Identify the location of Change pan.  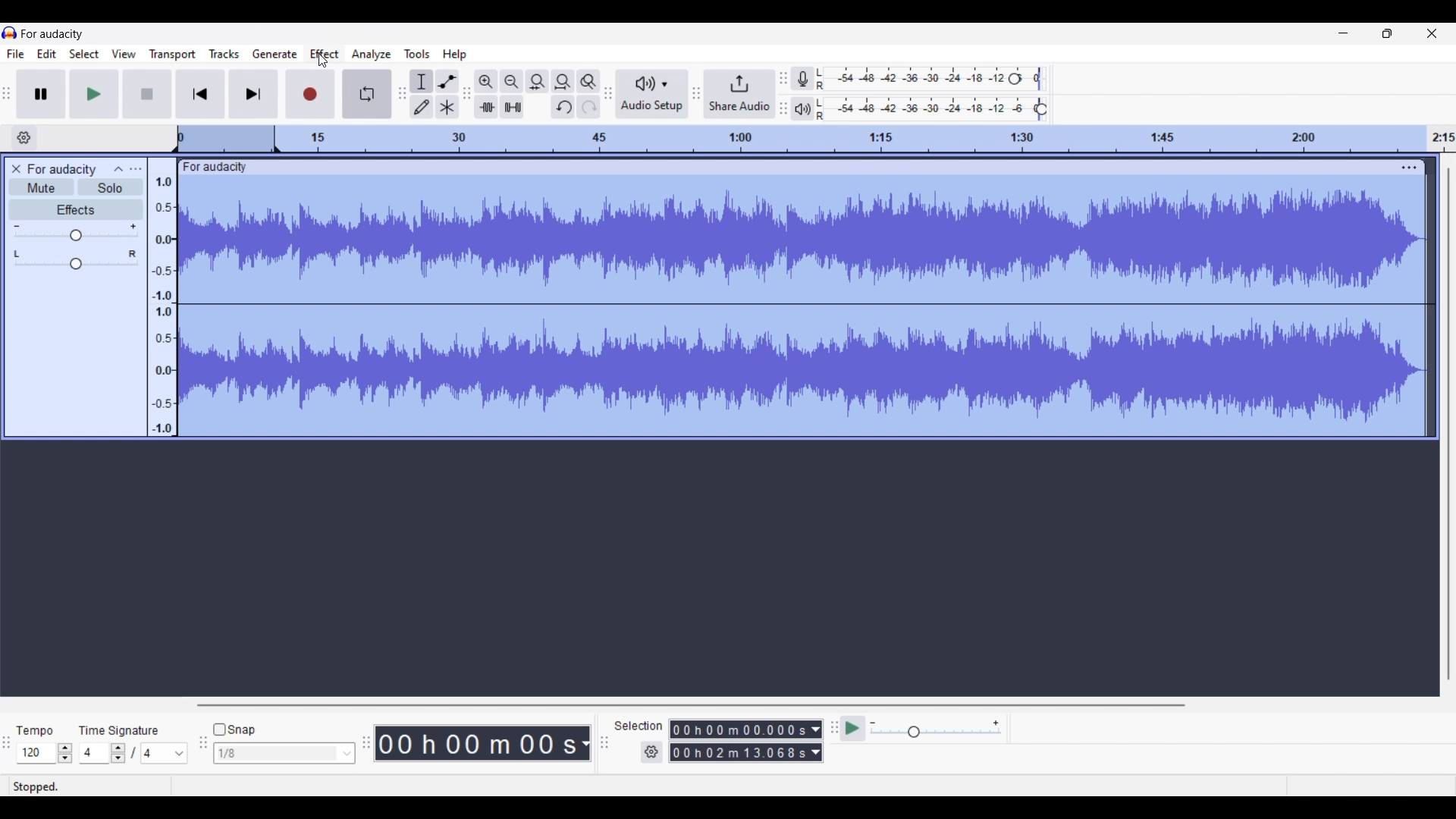
(76, 265).